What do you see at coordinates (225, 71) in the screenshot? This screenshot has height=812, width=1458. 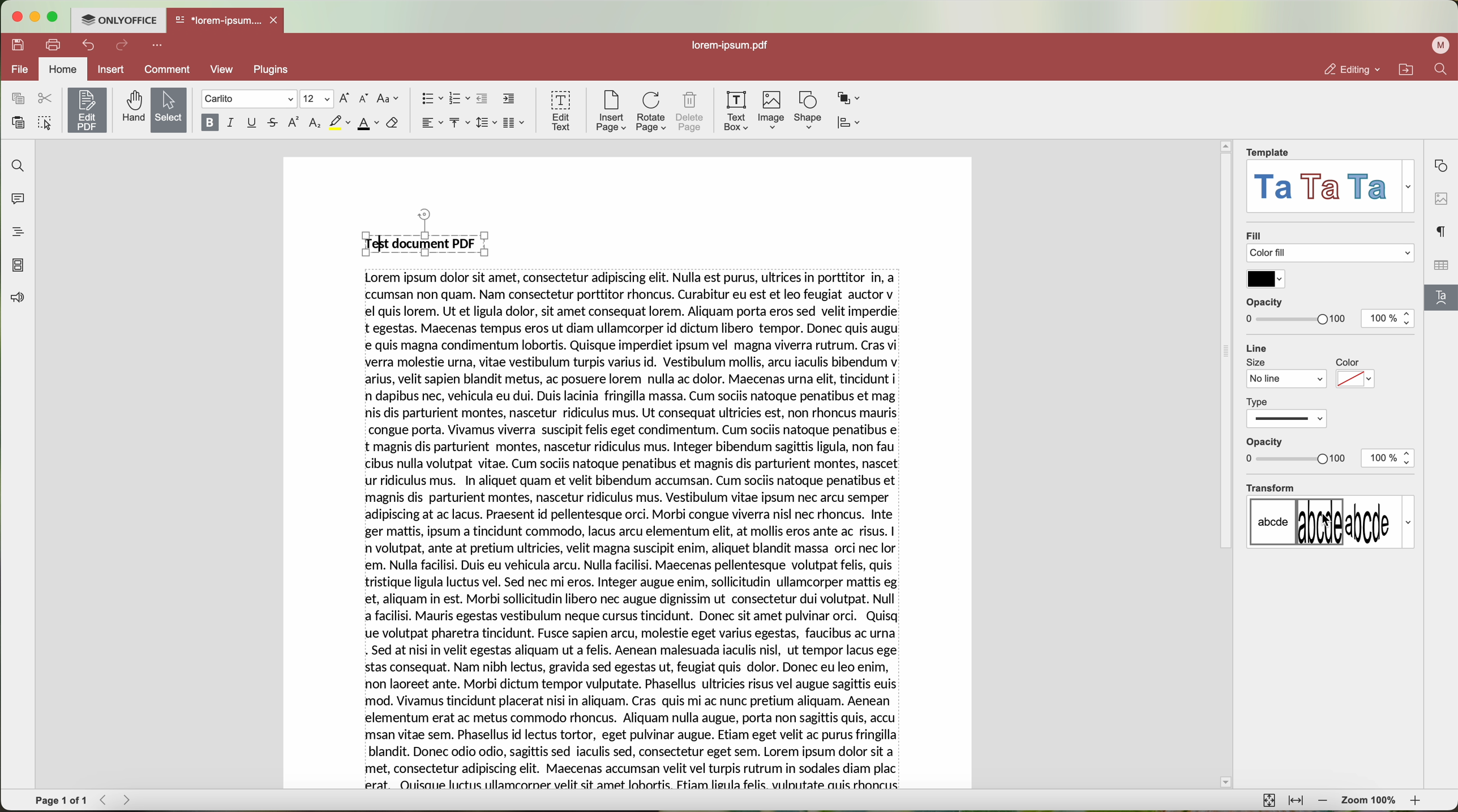 I see `view` at bounding box center [225, 71].